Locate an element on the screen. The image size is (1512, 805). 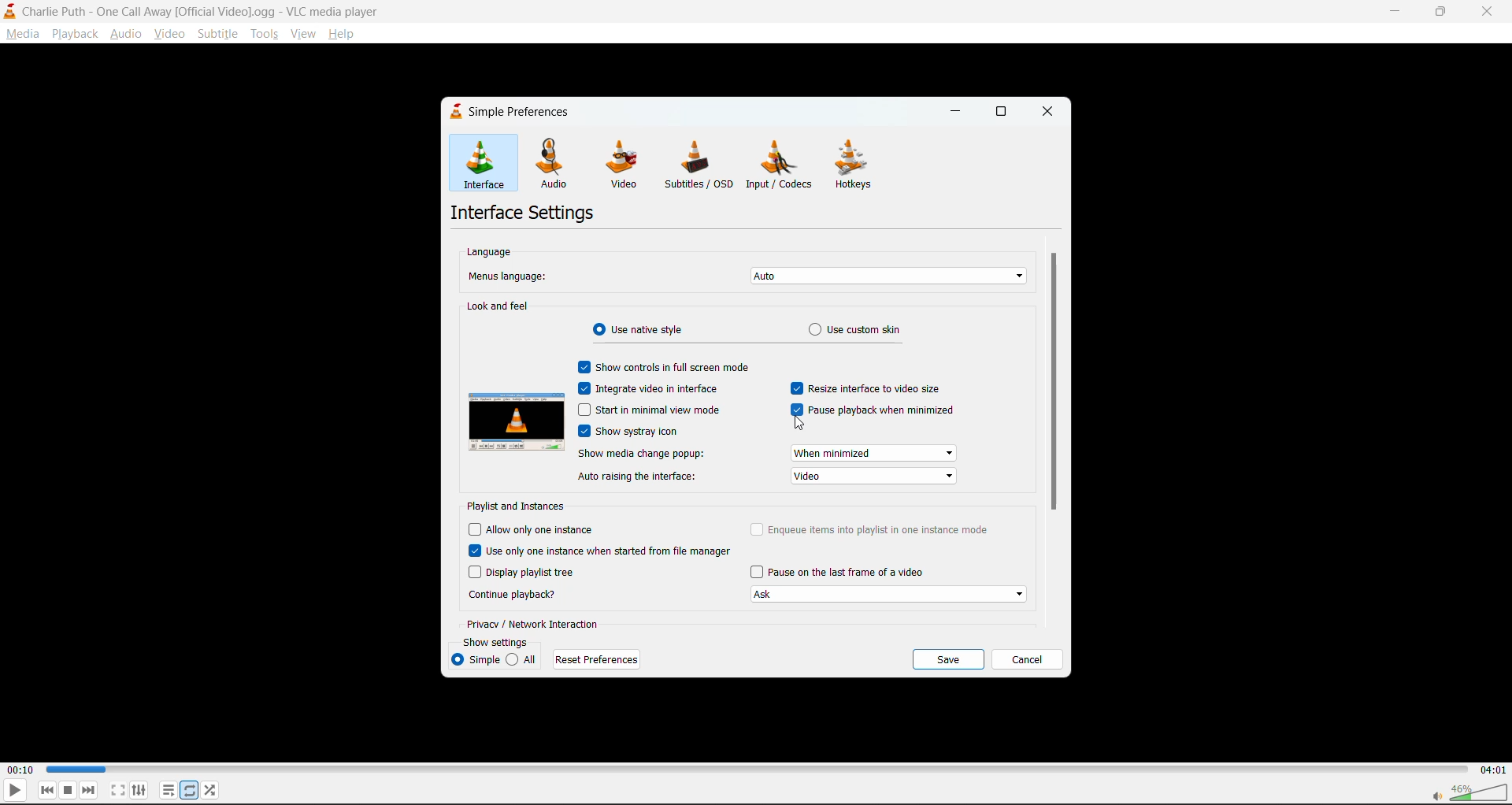
continue playback is located at coordinates (515, 595).